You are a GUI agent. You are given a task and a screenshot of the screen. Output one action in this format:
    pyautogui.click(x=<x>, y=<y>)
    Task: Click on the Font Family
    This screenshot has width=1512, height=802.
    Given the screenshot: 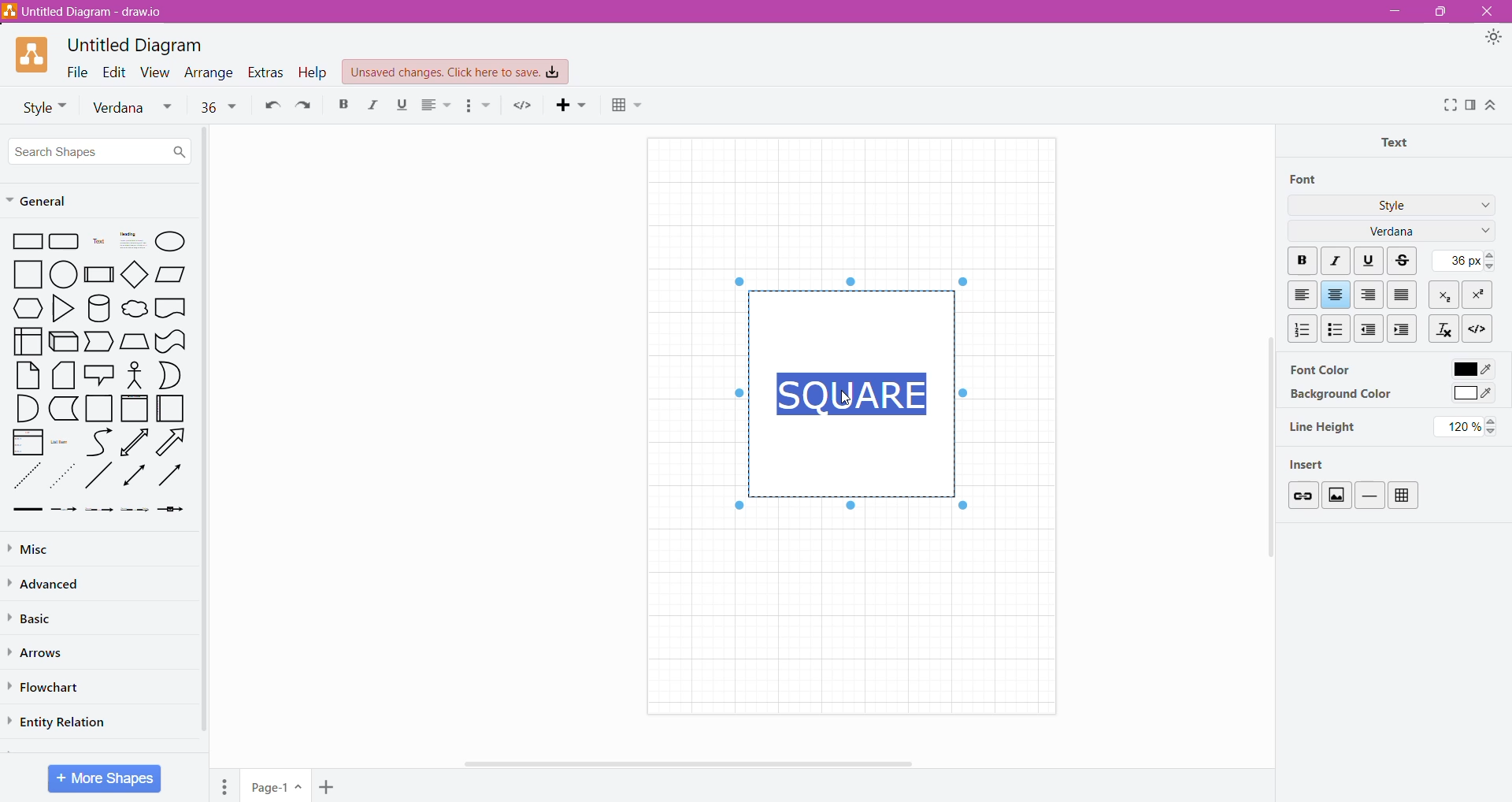 What is the action you would take?
    pyautogui.click(x=1482, y=232)
    